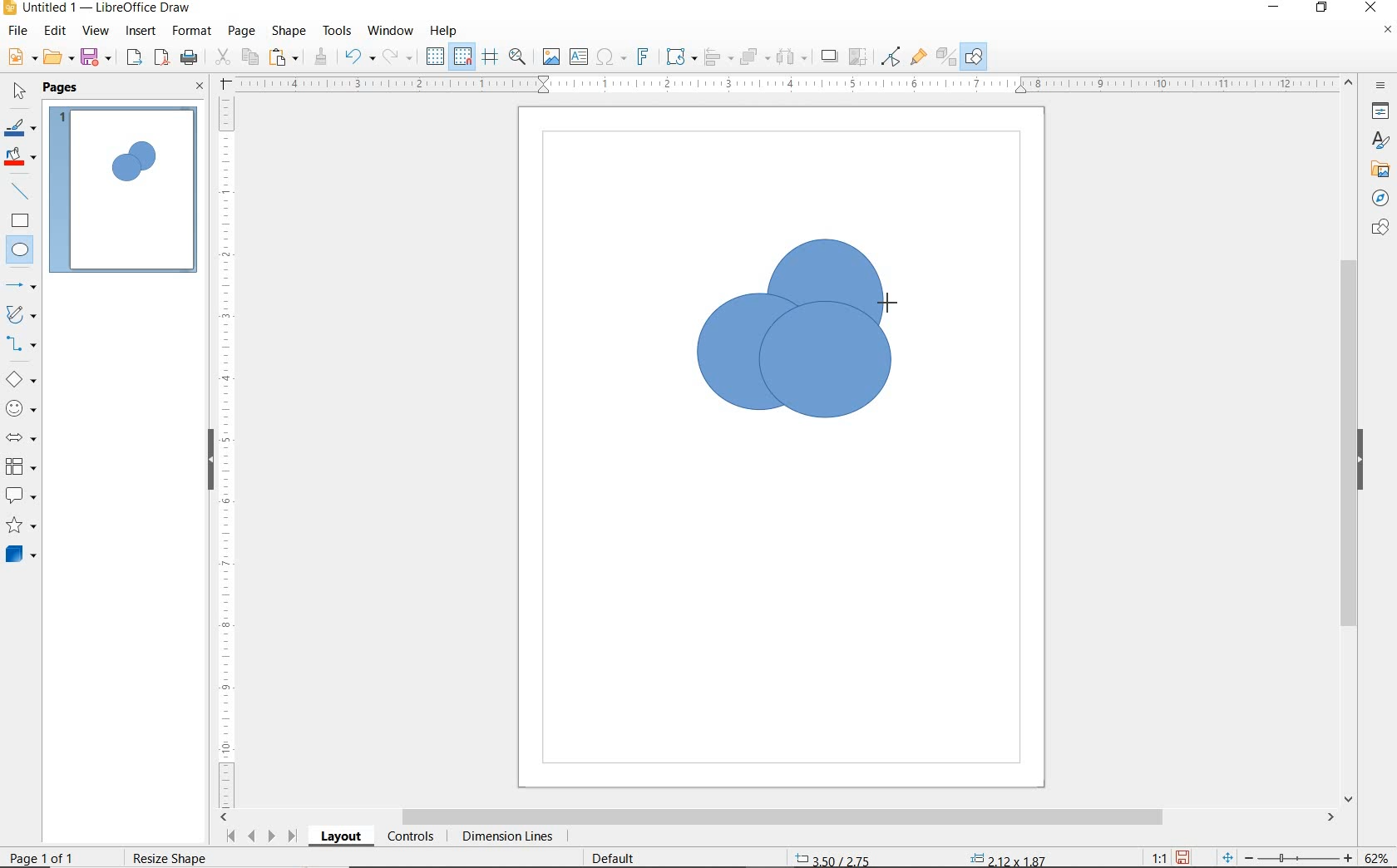  I want to click on INSERT LINE, so click(22, 191).